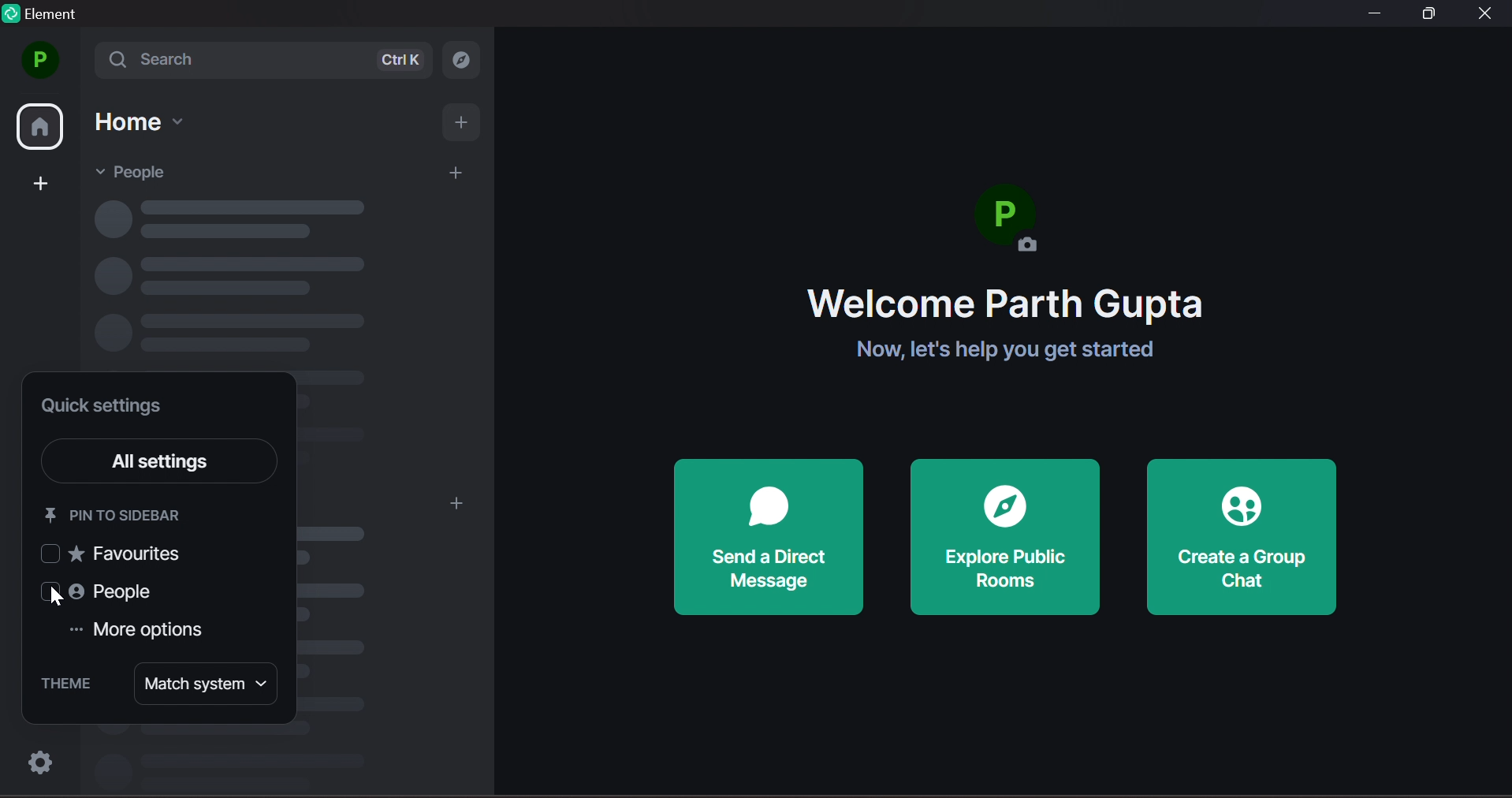 Image resolution: width=1512 pixels, height=798 pixels. Describe the element at coordinates (455, 505) in the screenshot. I see `add` at that location.